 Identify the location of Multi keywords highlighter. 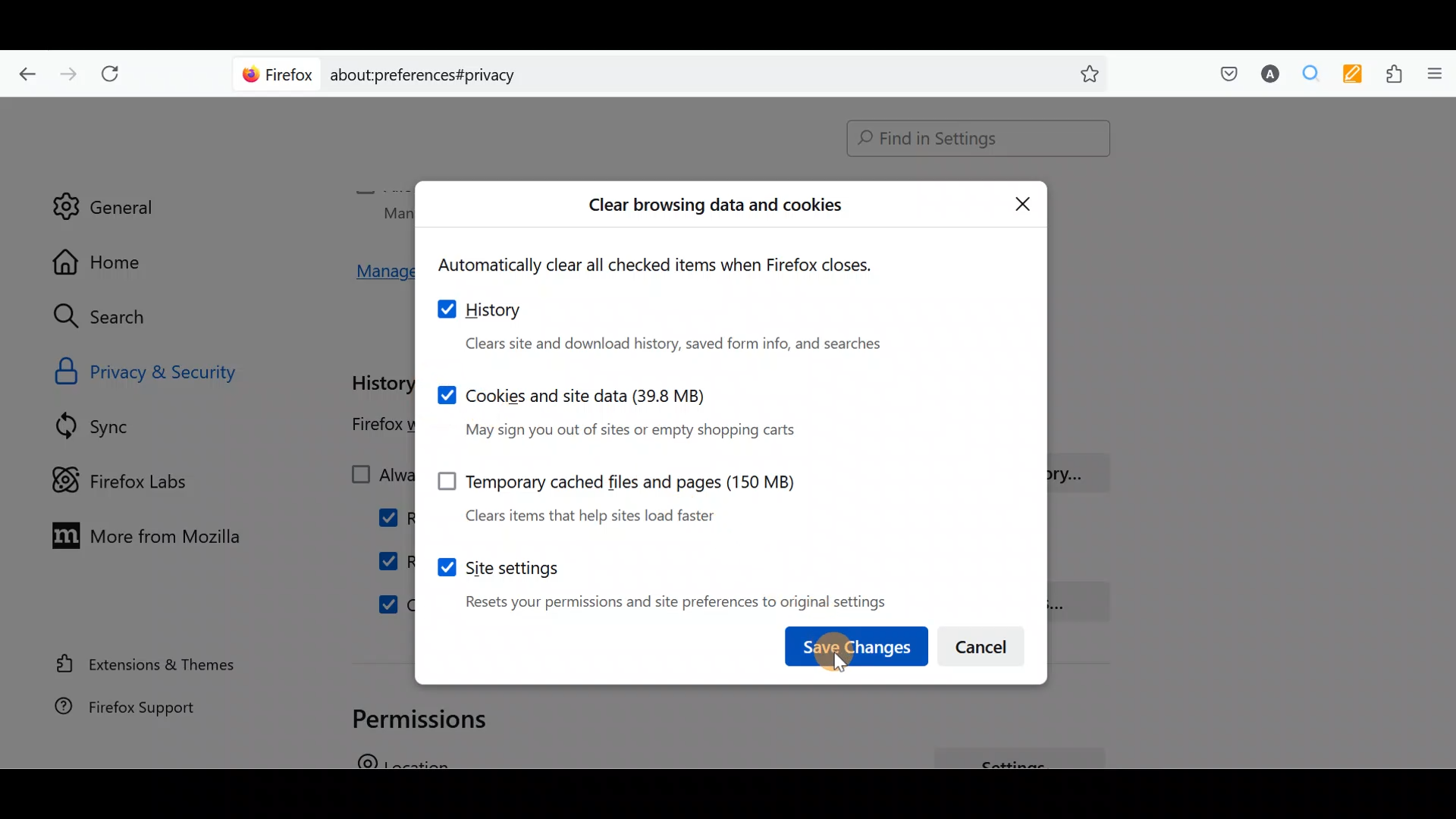
(1348, 76).